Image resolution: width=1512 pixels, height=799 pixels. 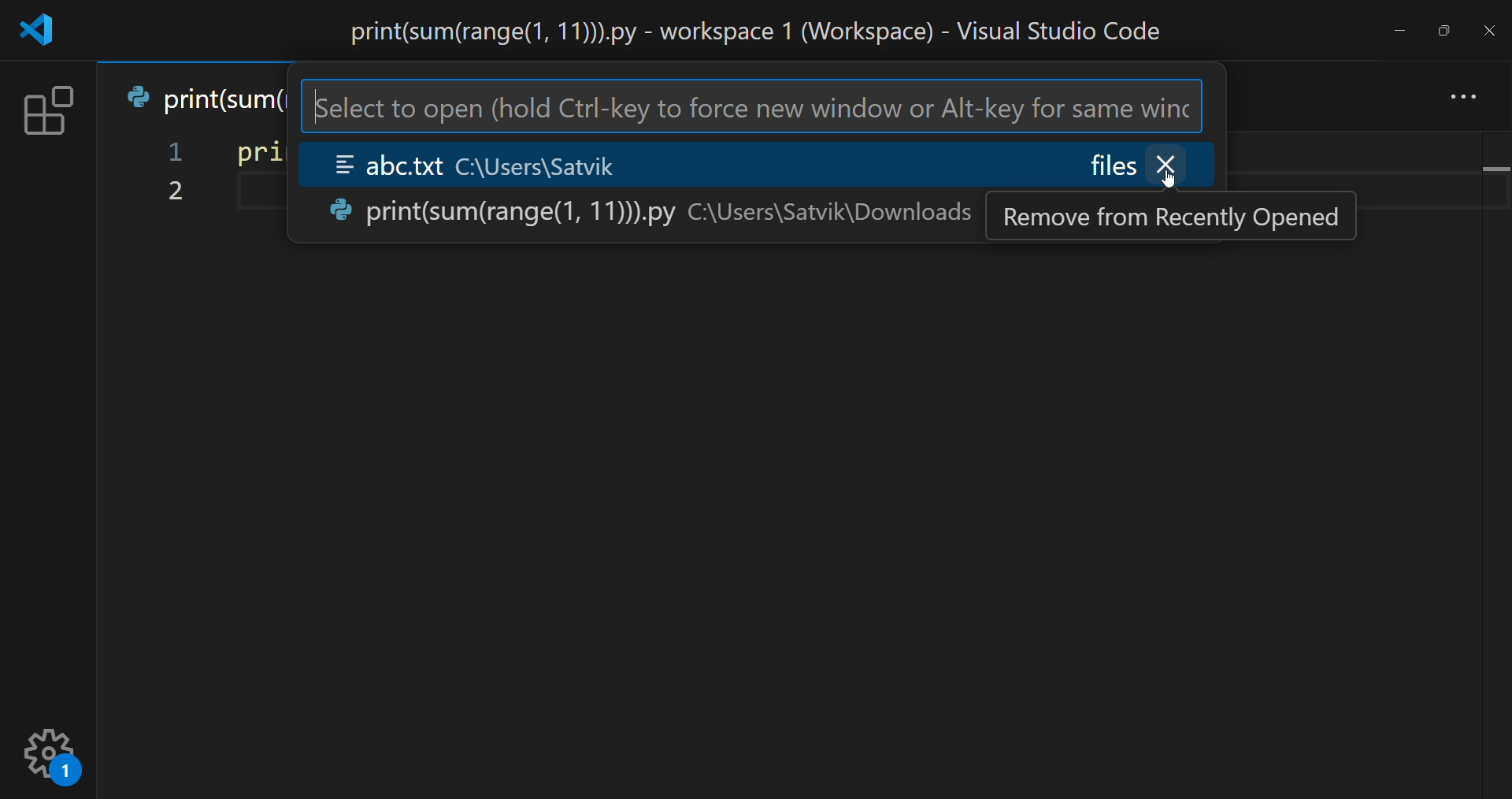 What do you see at coordinates (172, 175) in the screenshot?
I see `line numbers` at bounding box center [172, 175].